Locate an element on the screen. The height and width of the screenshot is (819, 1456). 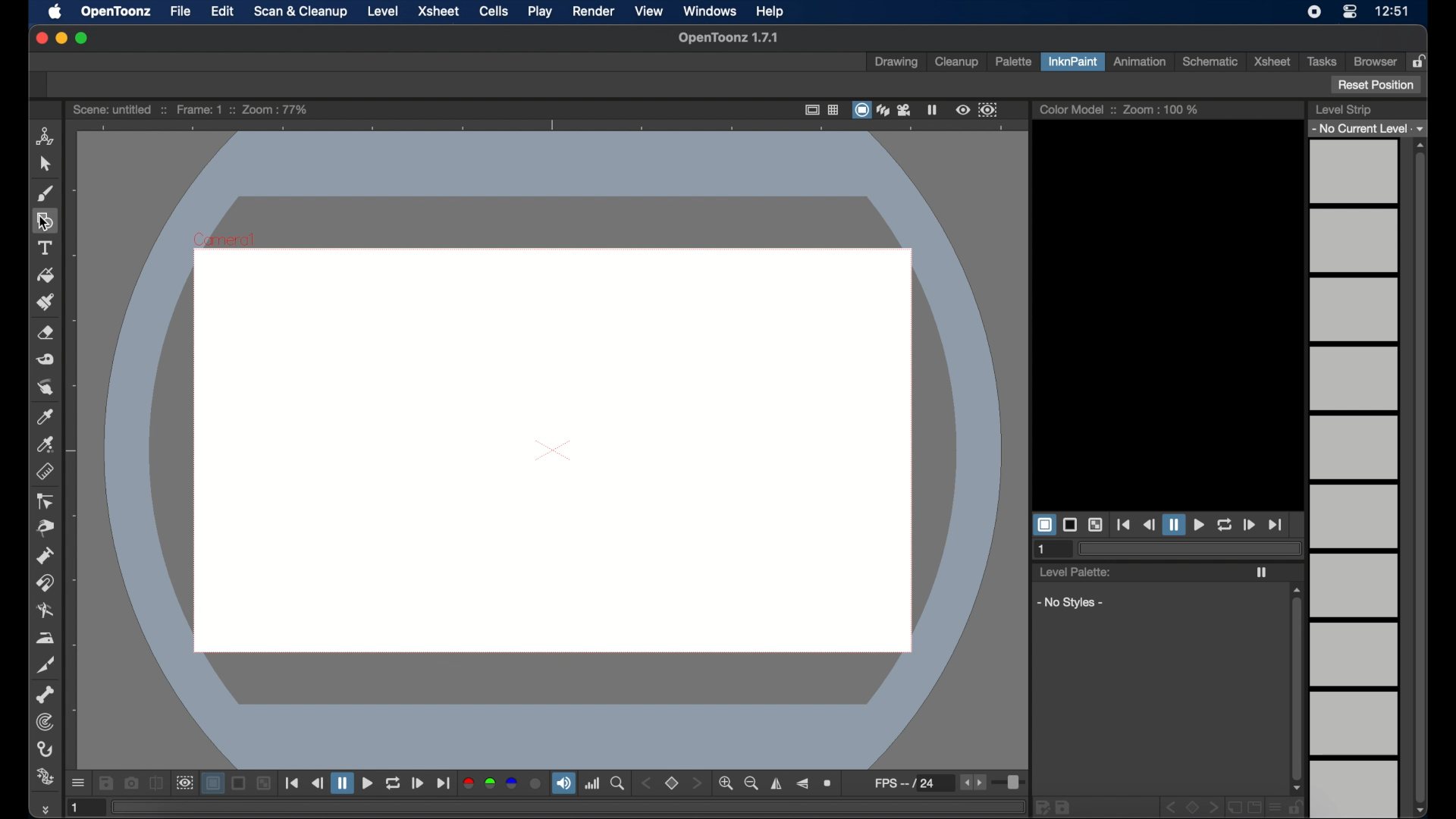
no styles is located at coordinates (1068, 603).